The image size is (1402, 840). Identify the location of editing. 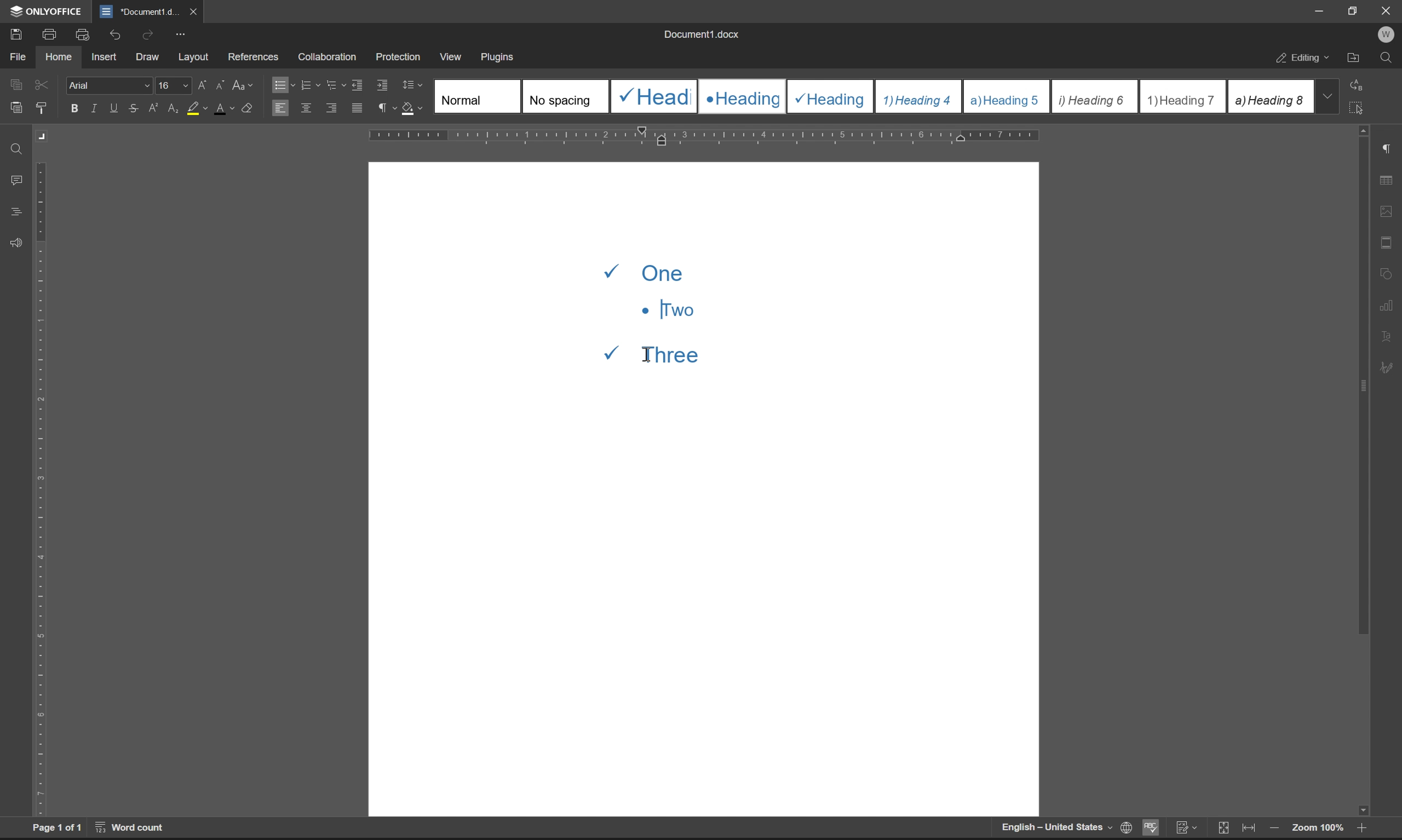
(1304, 59).